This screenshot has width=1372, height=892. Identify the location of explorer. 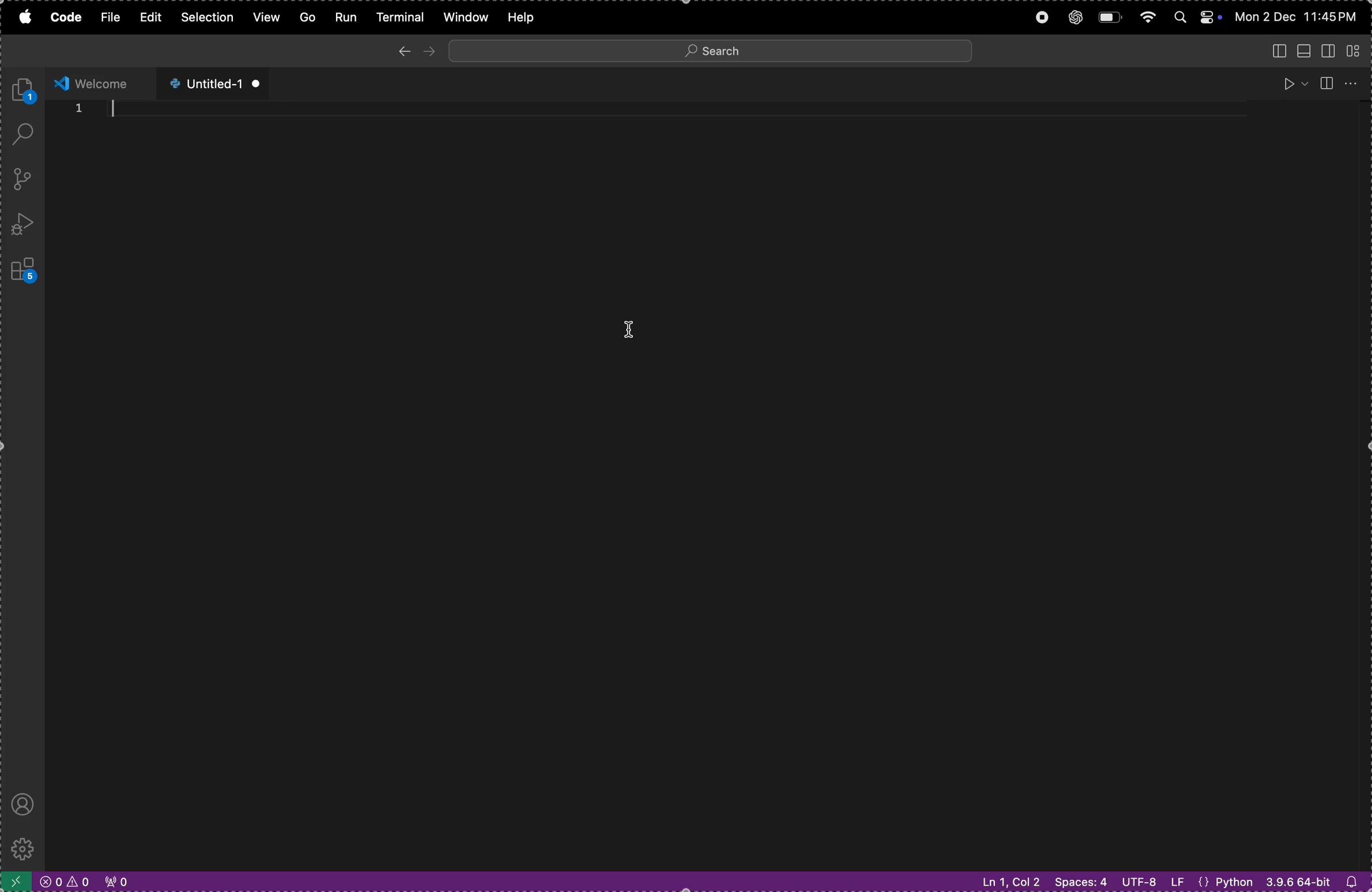
(25, 89).